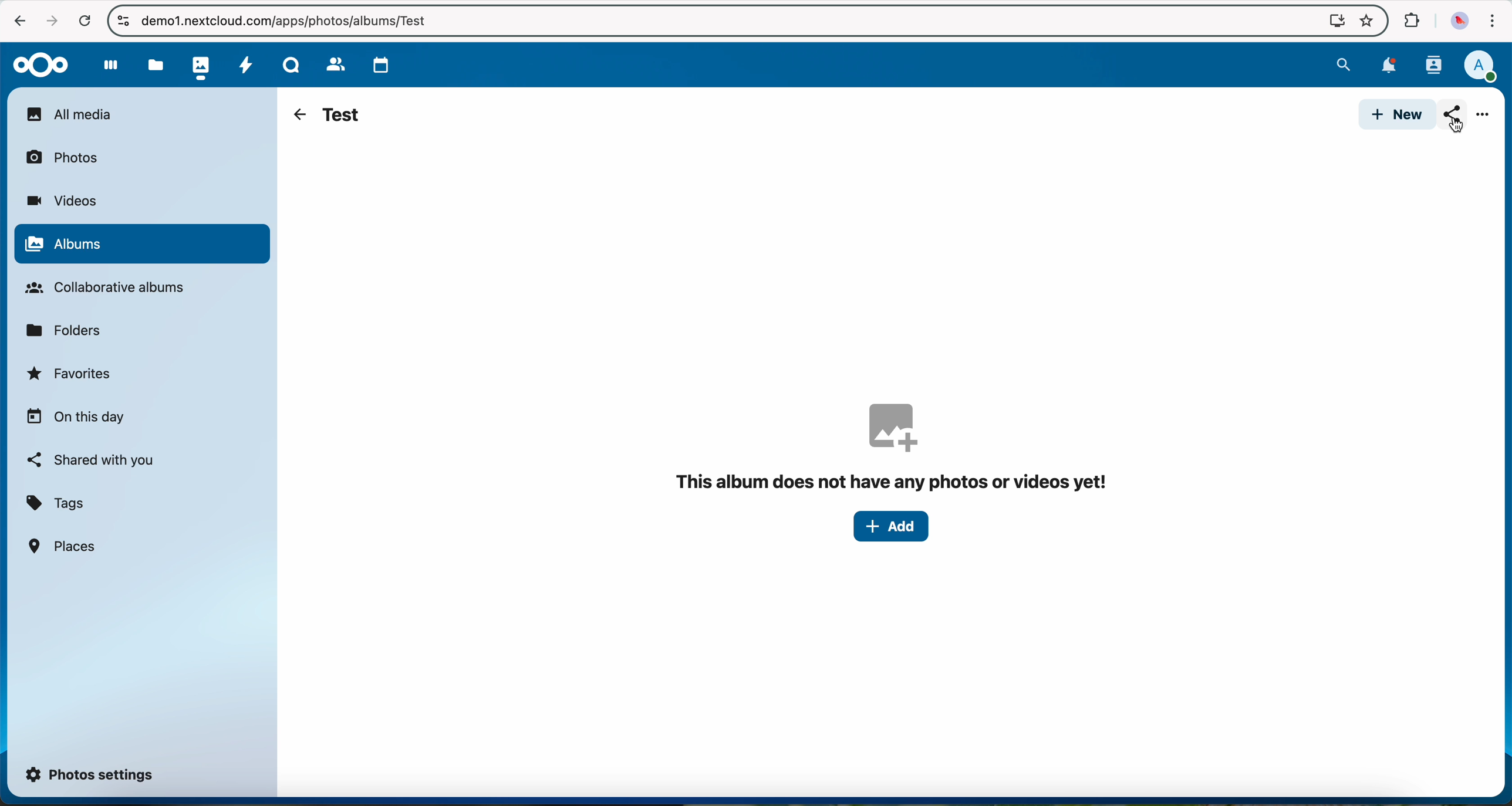 The image size is (1512, 806). I want to click on dashboard, so click(105, 65).